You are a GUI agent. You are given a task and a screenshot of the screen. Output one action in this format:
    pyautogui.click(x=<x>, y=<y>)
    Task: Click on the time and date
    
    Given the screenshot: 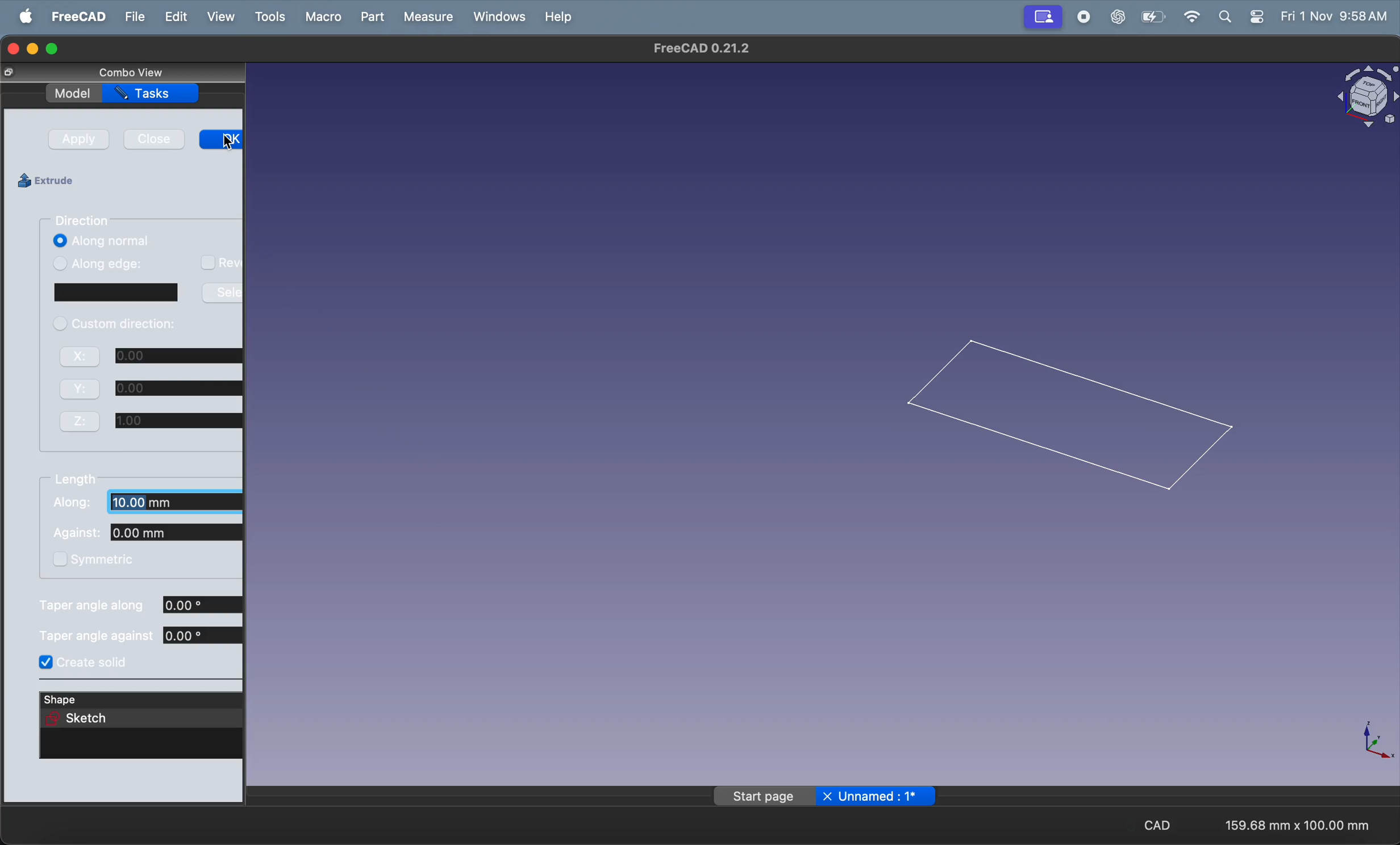 What is the action you would take?
    pyautogui.click(x=1336, y=16)
    